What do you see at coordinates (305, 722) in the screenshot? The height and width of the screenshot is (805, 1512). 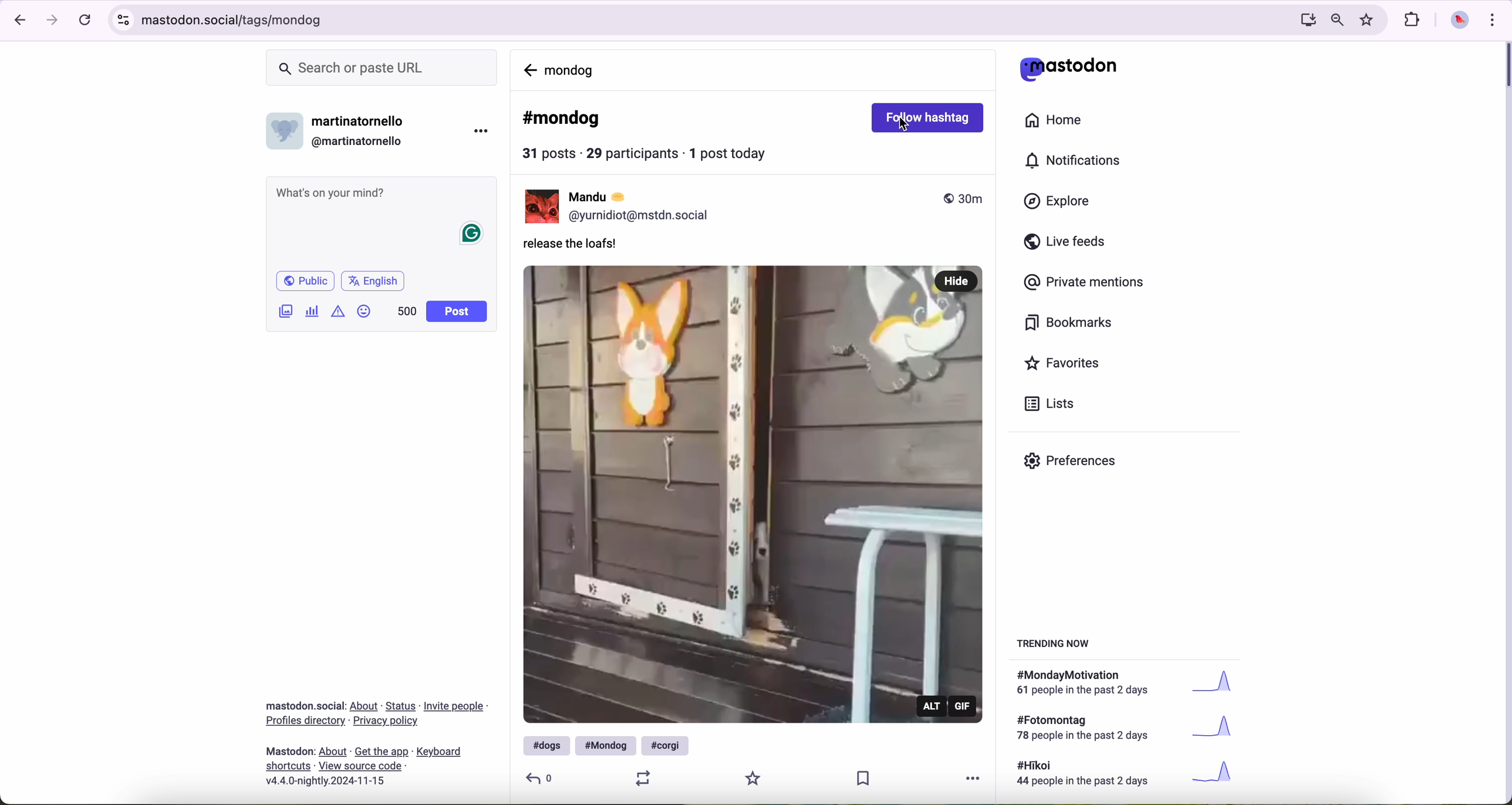 I see `link` at bounding box center [305, 722].